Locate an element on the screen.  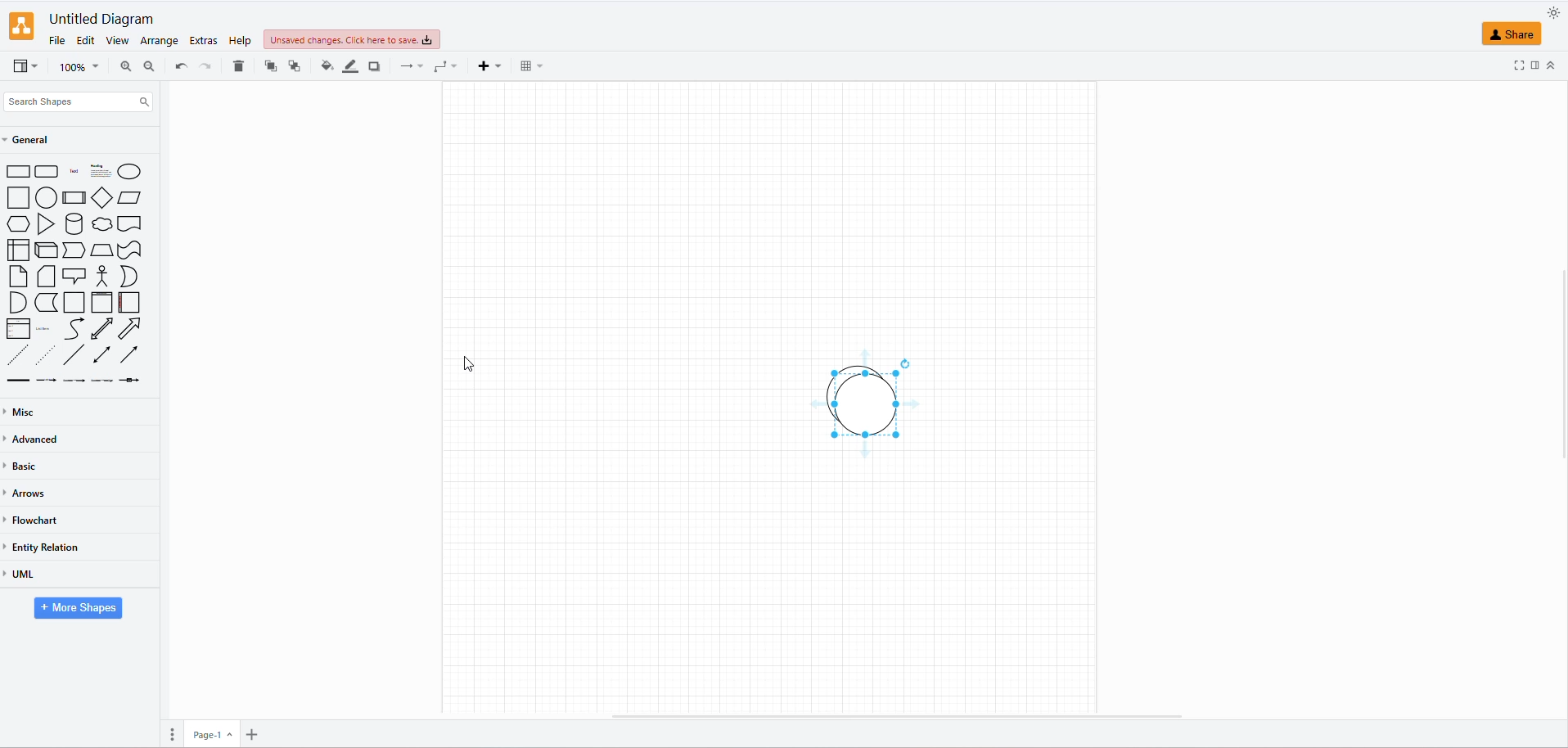
TO BACK is located at coordinates (292, 66).